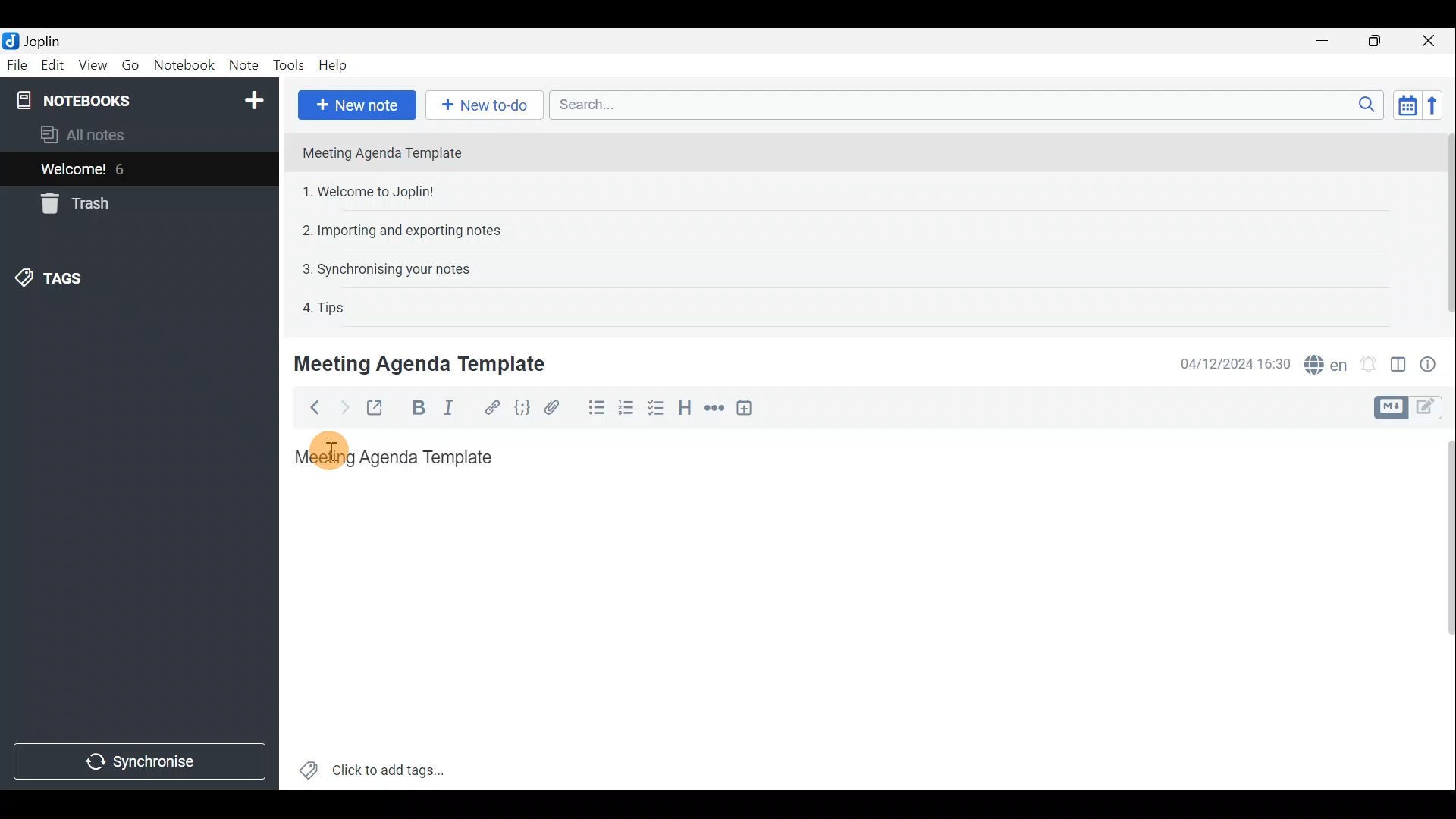  I want to click on Toggle editors, so click(1429, 409).